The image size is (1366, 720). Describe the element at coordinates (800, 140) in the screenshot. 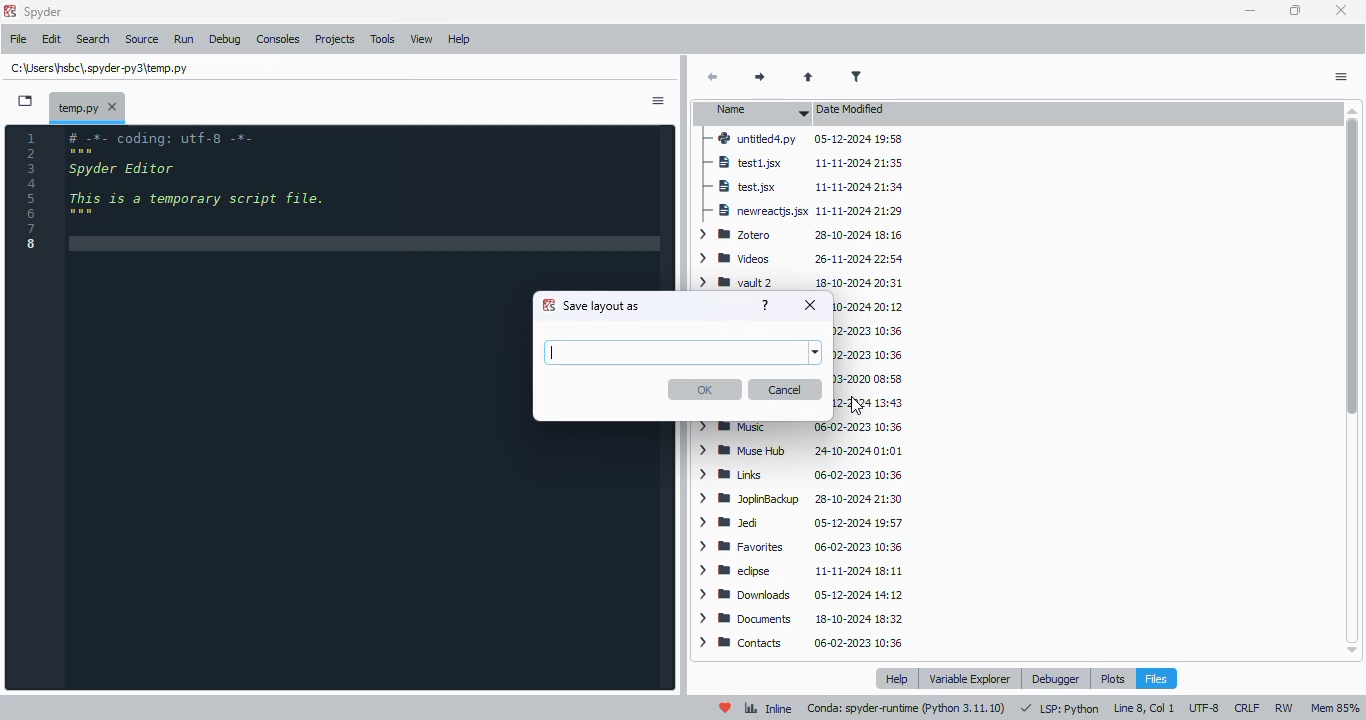

I see `untitled4.py` at that location.